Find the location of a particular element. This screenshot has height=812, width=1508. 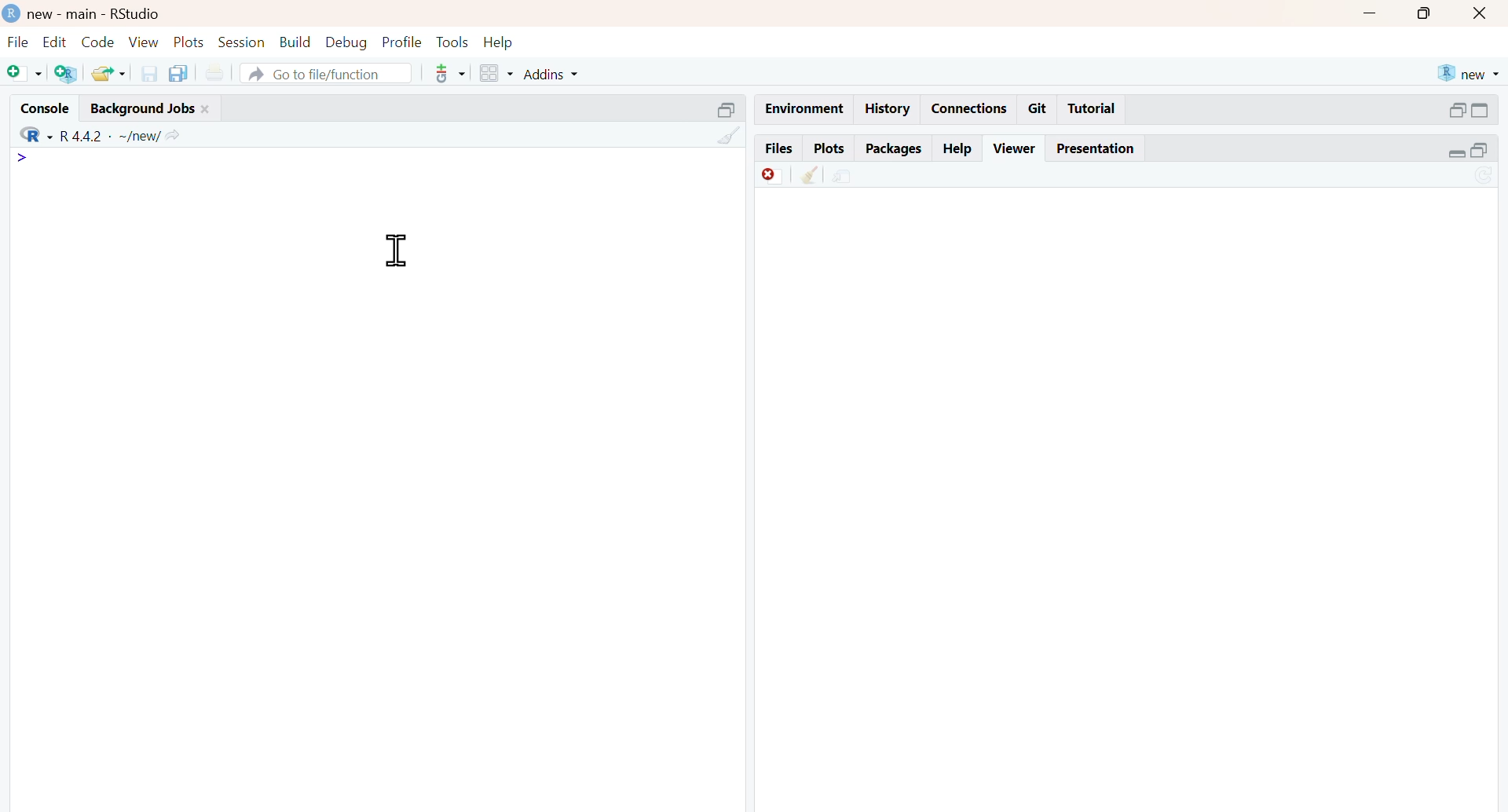

cursor is located at coordinates (397, 251).